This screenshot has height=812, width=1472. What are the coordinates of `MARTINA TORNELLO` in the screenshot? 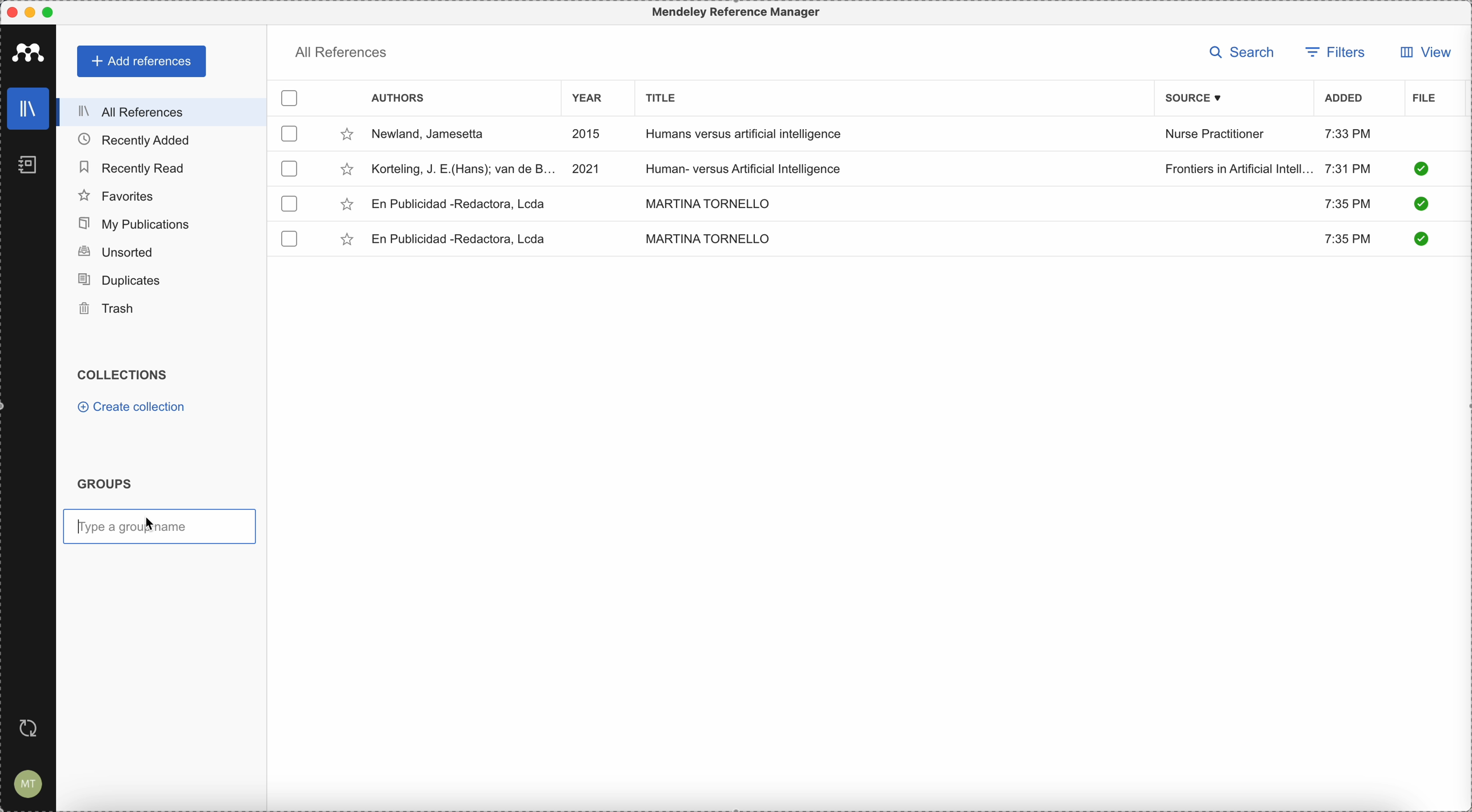 It's located at (707, 238).